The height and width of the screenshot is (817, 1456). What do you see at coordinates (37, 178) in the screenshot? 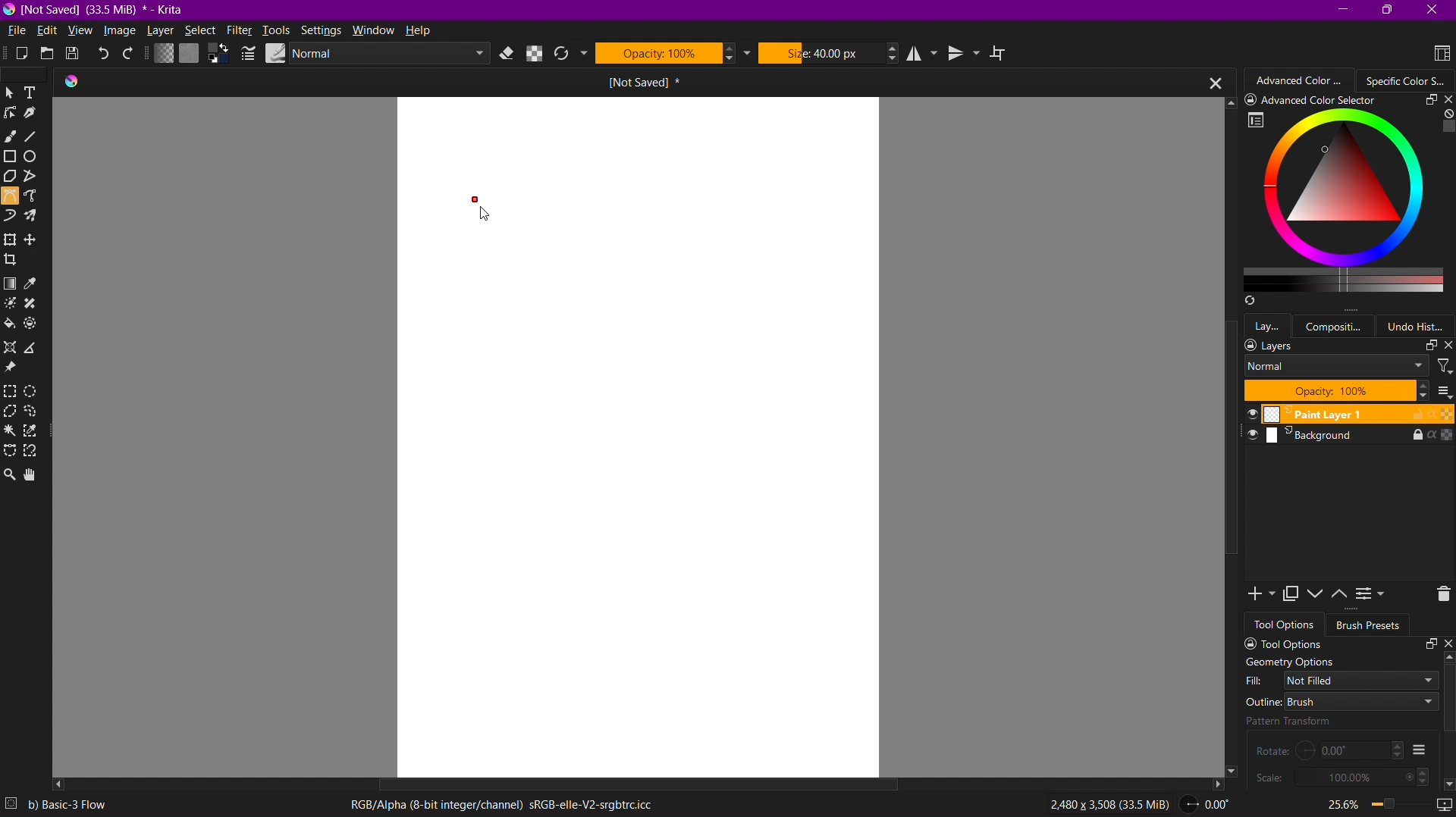
I see `Polyline Tool` at bounding box center [37, 178].